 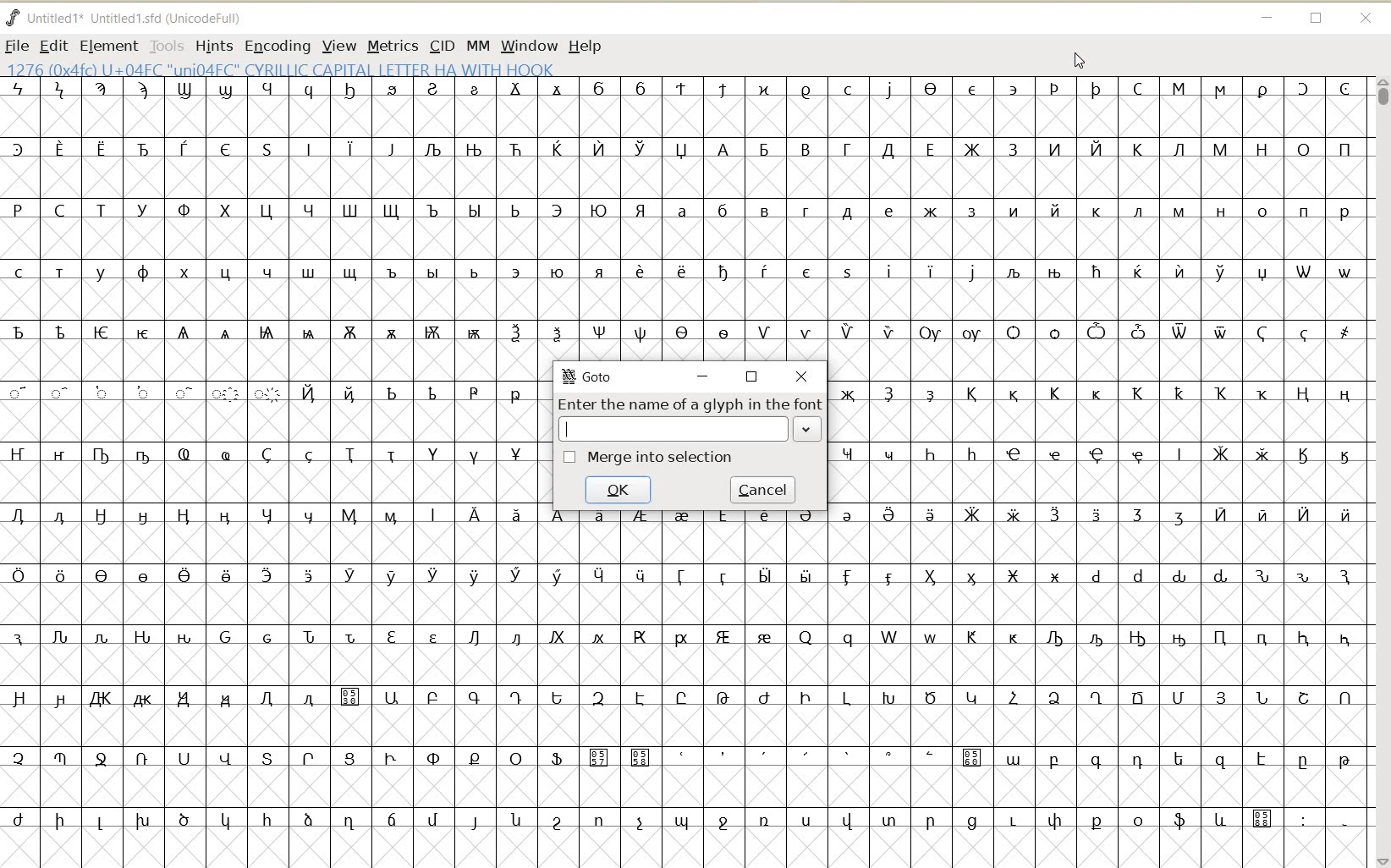 I want to click on ELEMENT, so click(x=108, y=46).